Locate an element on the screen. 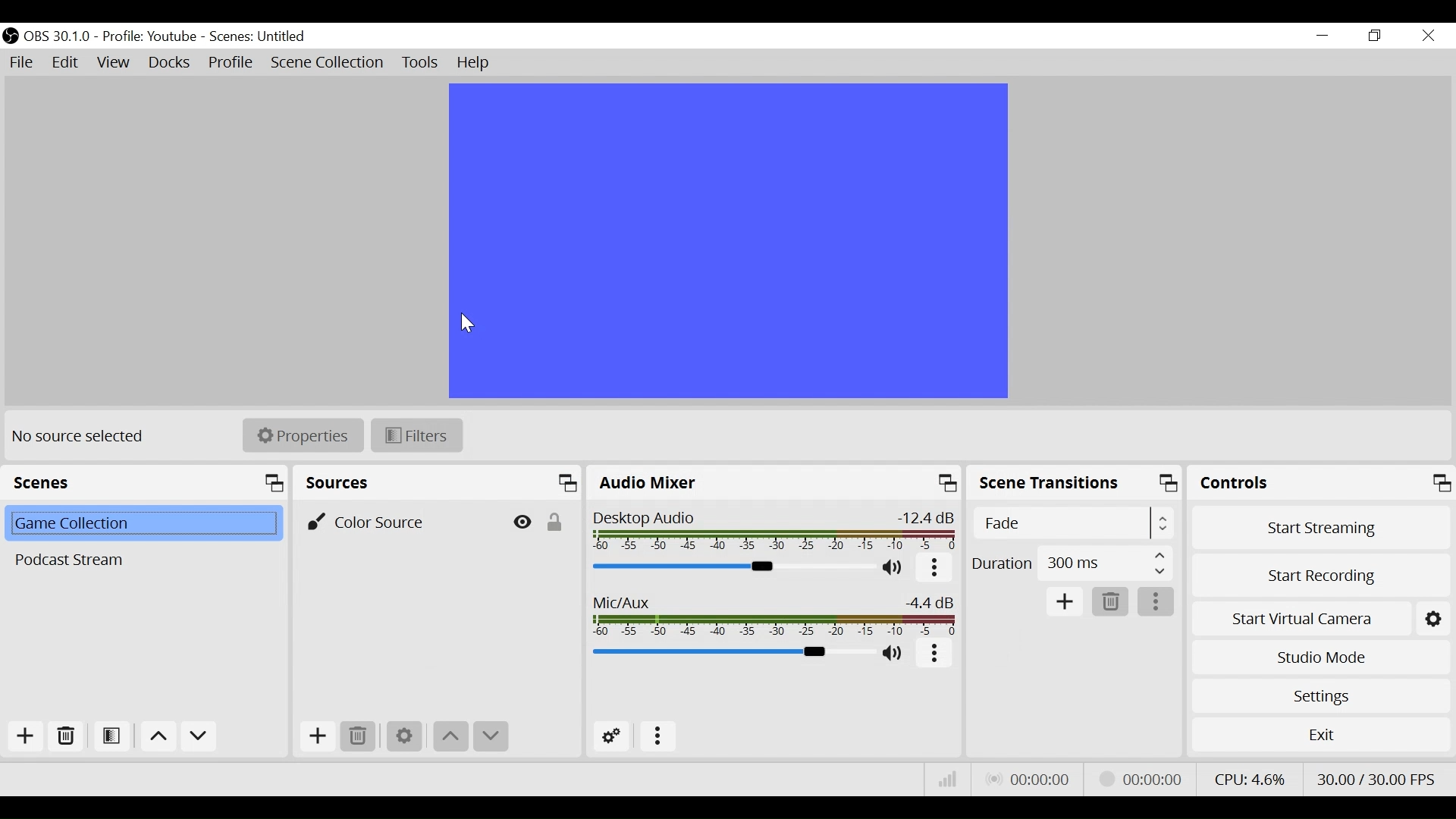  OBS Version is located at coordinates (58, 37).